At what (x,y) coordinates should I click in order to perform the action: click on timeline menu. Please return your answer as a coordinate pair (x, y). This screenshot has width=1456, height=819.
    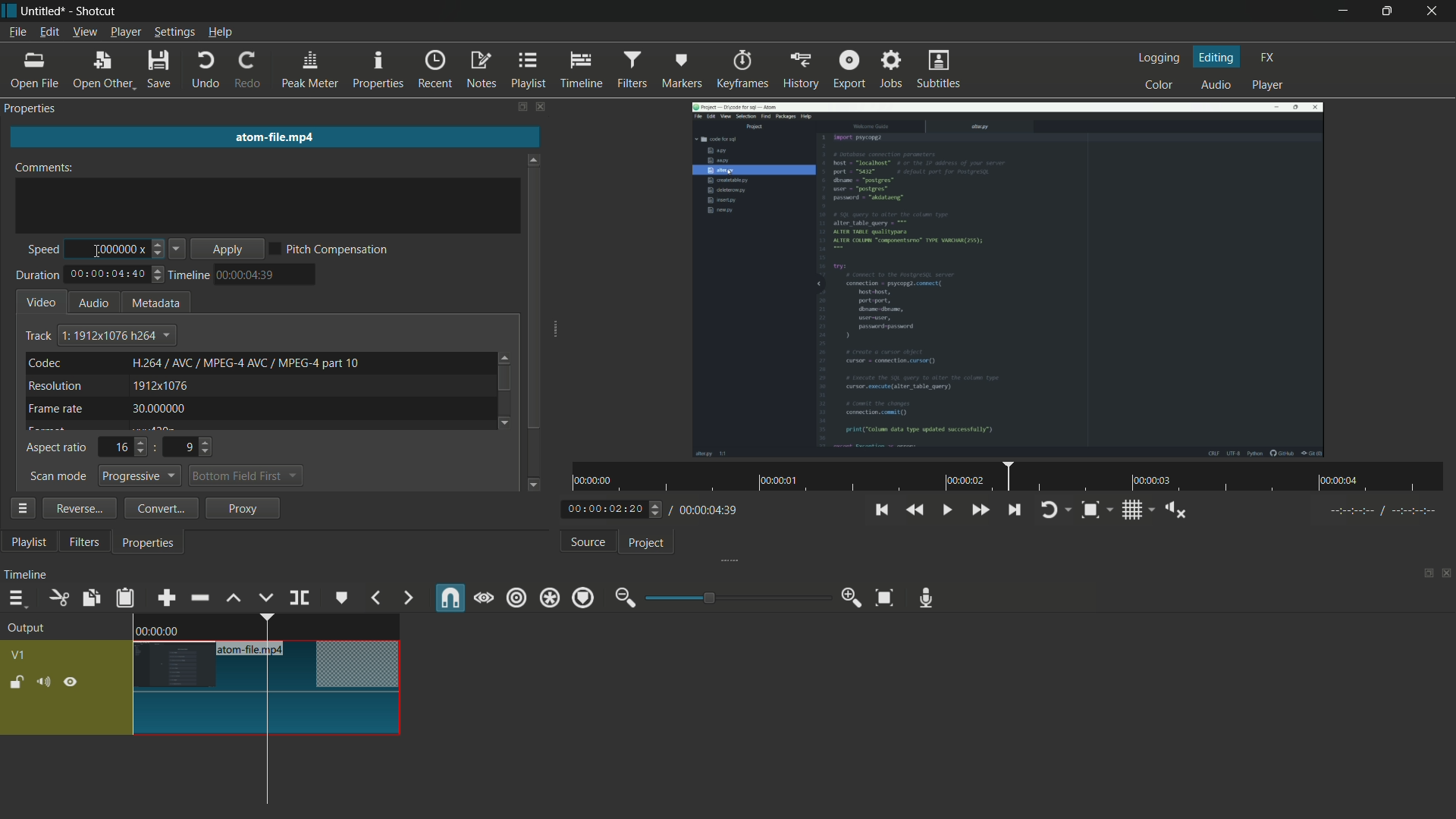
    Looking at the image, I should click on (20, 599).